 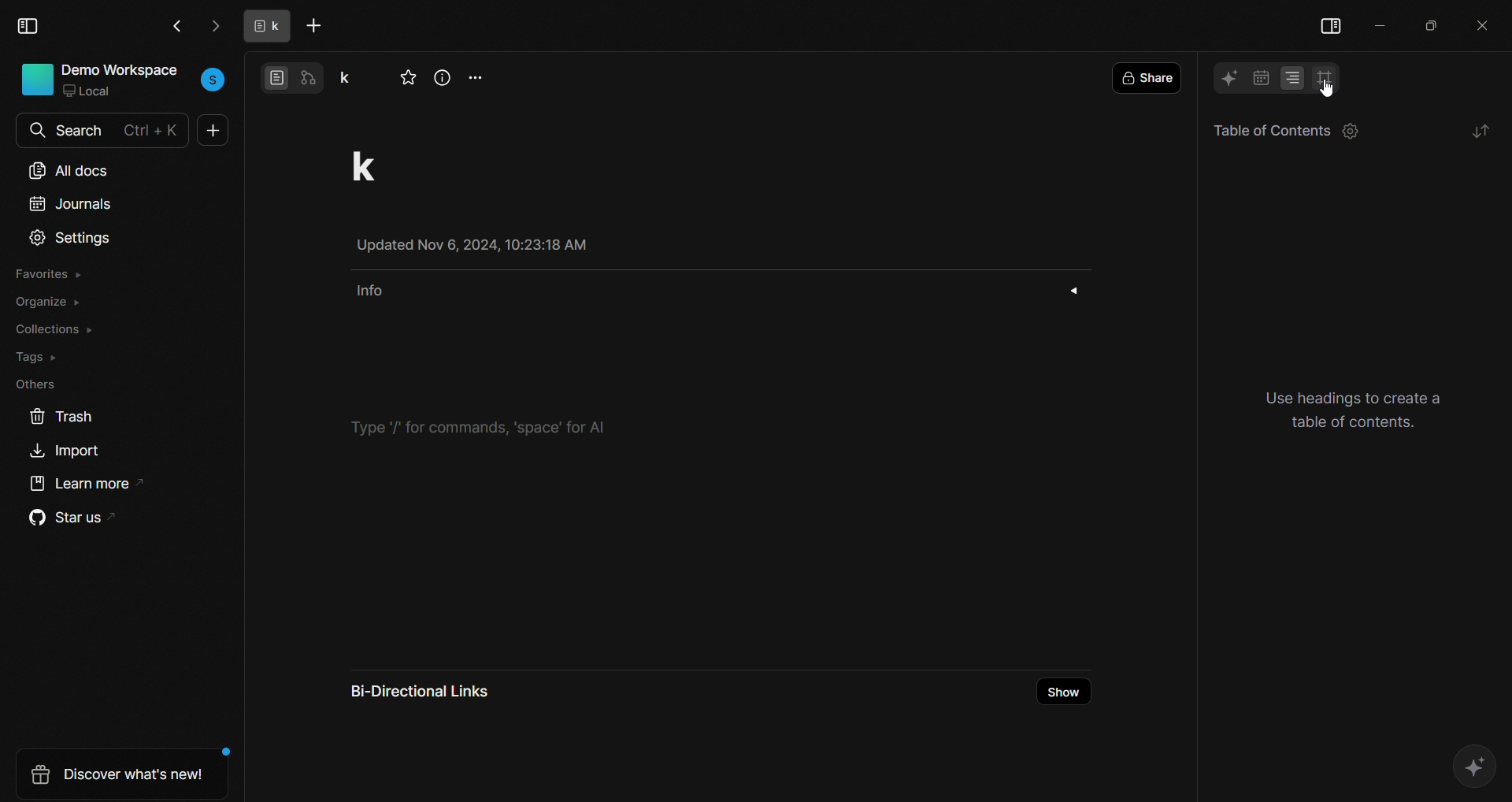 I want to click on project title, so click(x=382, y=165).